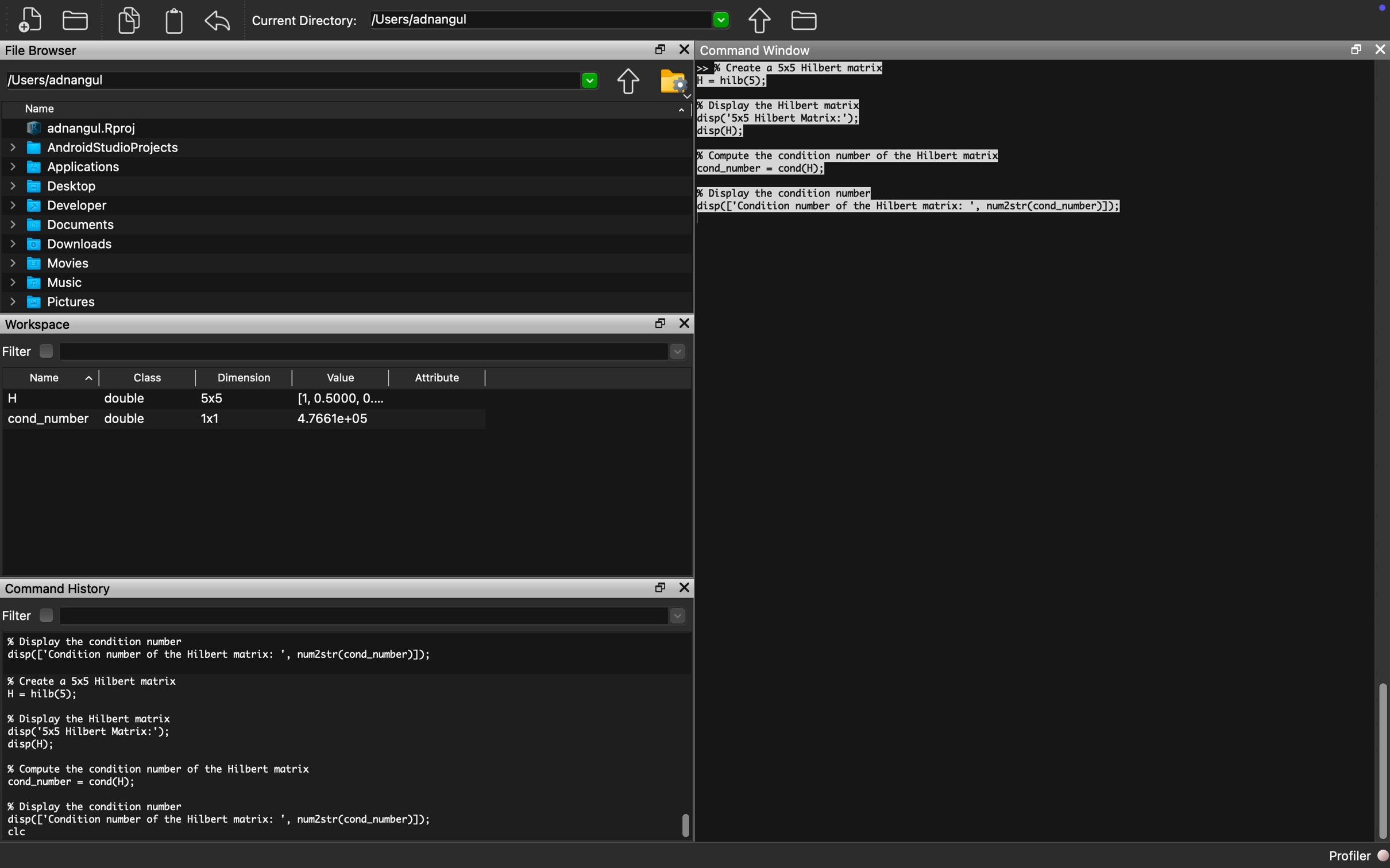 This screenshot has height=868, width=1390. What do you see at coordinates (920, 139) in the screenshot?
I see `>> % Create a 5x5 Hilbert matrixH = hilb(5);% Display the Hilbert matrixdisp('5x5 Hilbert Matrix:');disp(H);% Compute the condition number of the Hilbert matrixcond_number = cond(H);% Display the condition numberdisp(['Condition number of the Hilbert matrix: ', num2str(cond_number)]);` at bounding box center [920, 139].